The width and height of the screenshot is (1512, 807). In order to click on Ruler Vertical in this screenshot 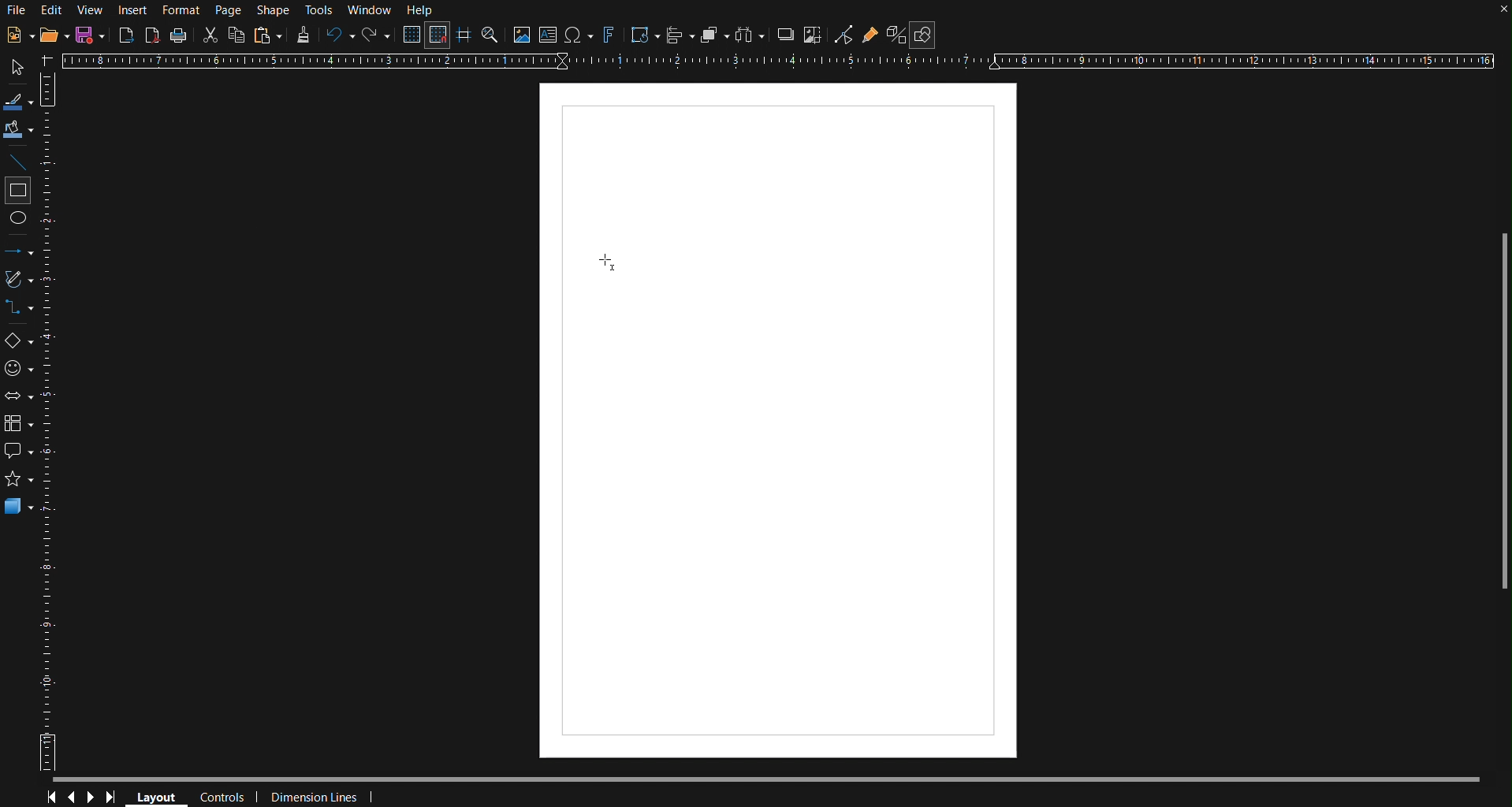, I will do `click(50, 420)`.